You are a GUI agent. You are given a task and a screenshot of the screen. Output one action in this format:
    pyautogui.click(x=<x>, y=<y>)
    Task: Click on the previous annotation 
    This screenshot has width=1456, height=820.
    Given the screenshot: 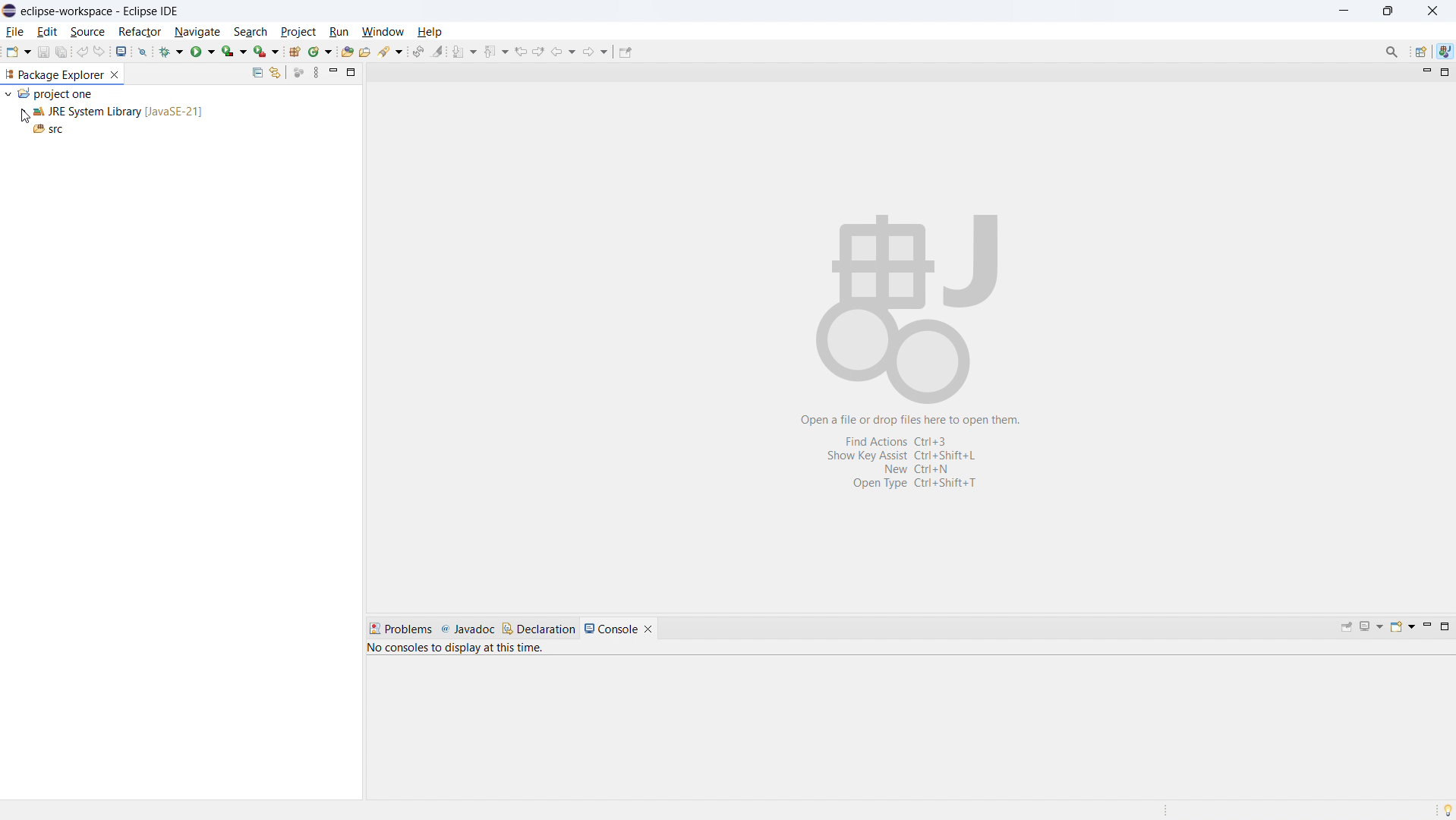 What is the action you would take?
    pyautogui.click(x=496, y=52)
    